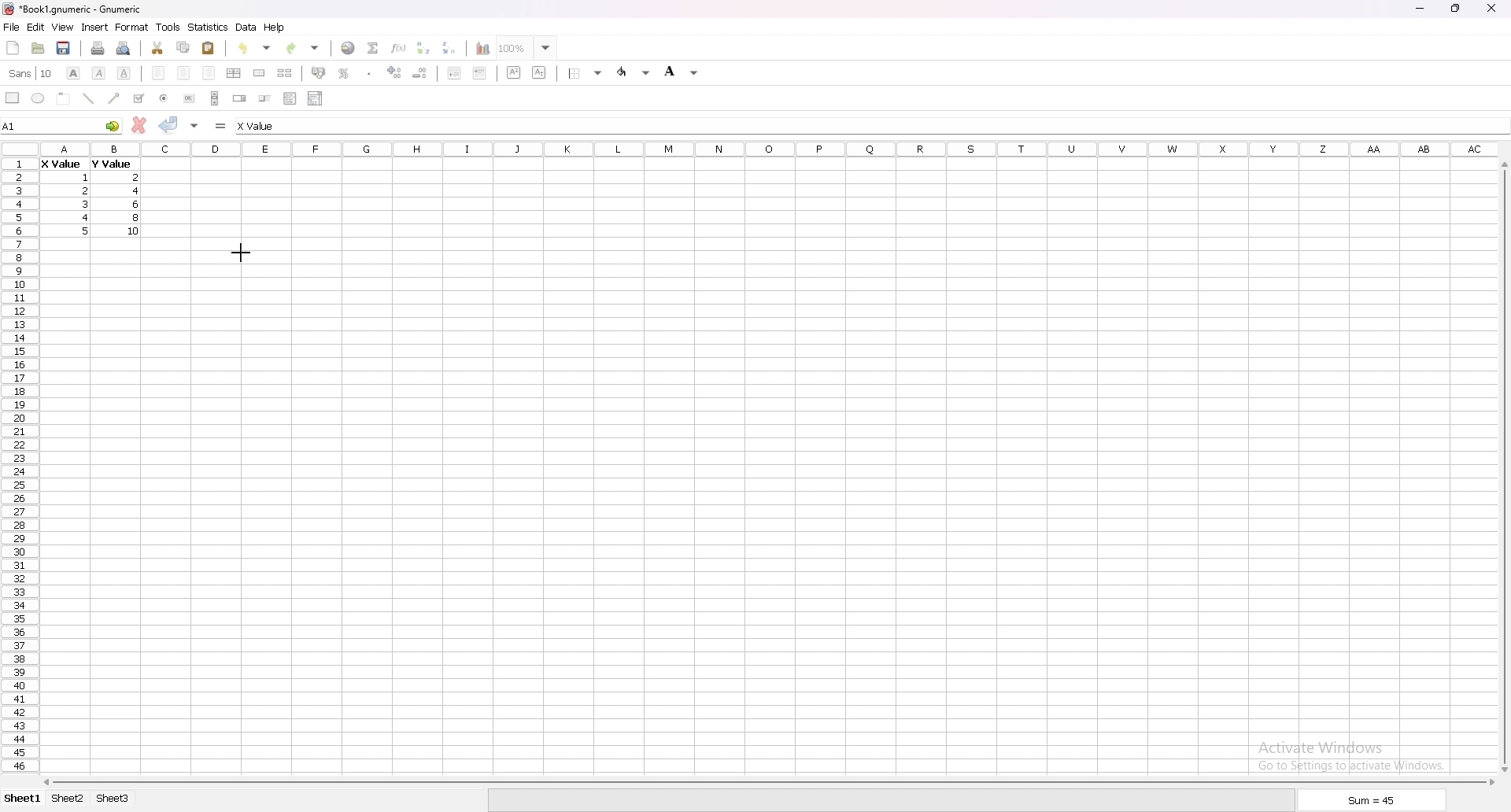 The height and width of the screenshot is (812, 1511). What do you see at coordinates (266, 98) in the screenshot?
I see `slider` at bounding box center [266, 98].